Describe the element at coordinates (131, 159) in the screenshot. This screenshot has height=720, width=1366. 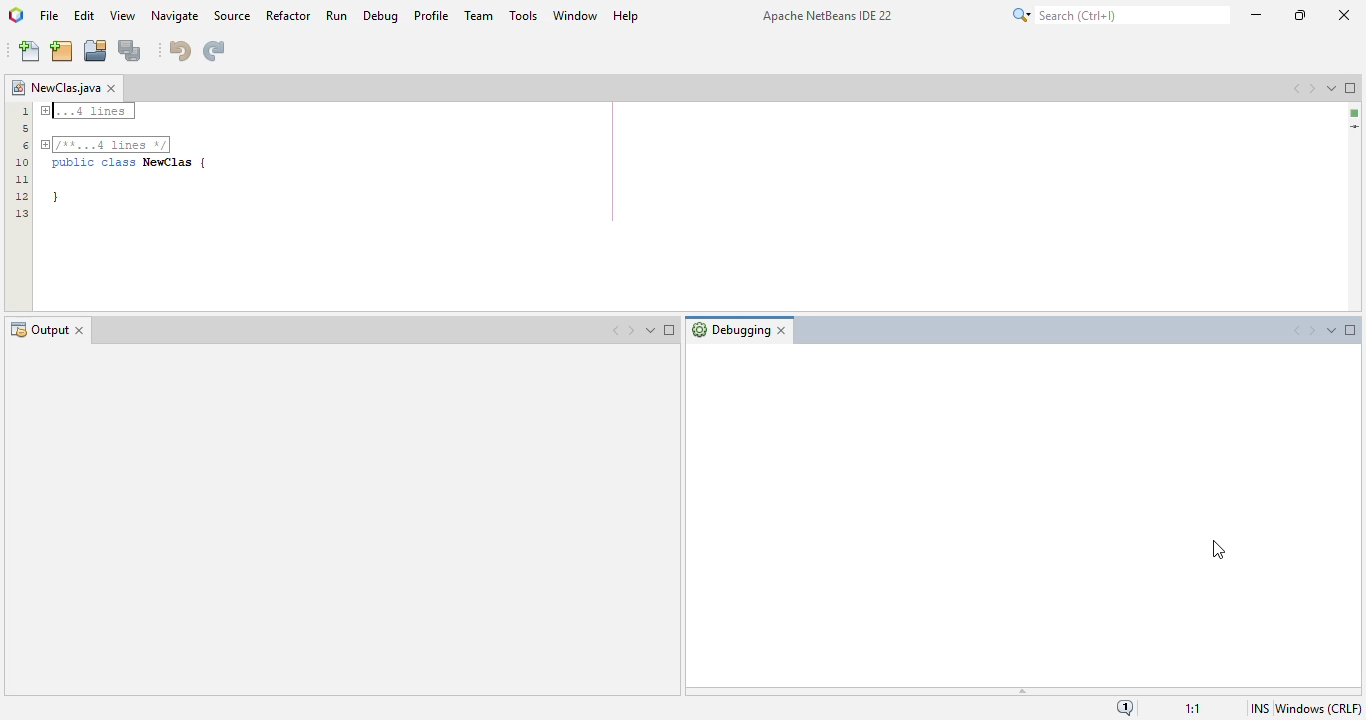
I see `public class NewClas |
}` at that location.